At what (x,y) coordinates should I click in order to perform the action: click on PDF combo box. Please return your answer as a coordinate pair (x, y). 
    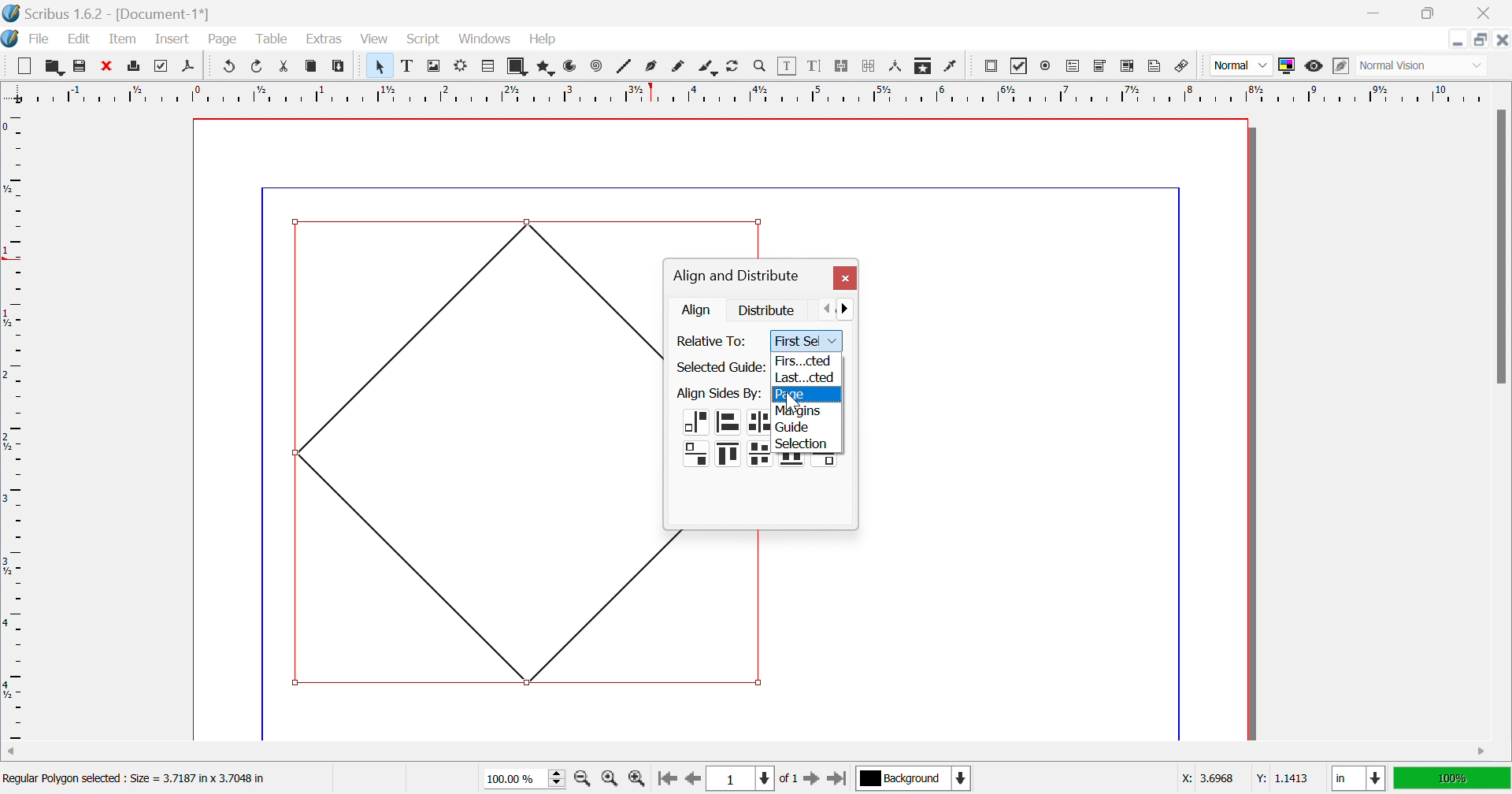
    Looking at the image, I should click on (1101, 66).